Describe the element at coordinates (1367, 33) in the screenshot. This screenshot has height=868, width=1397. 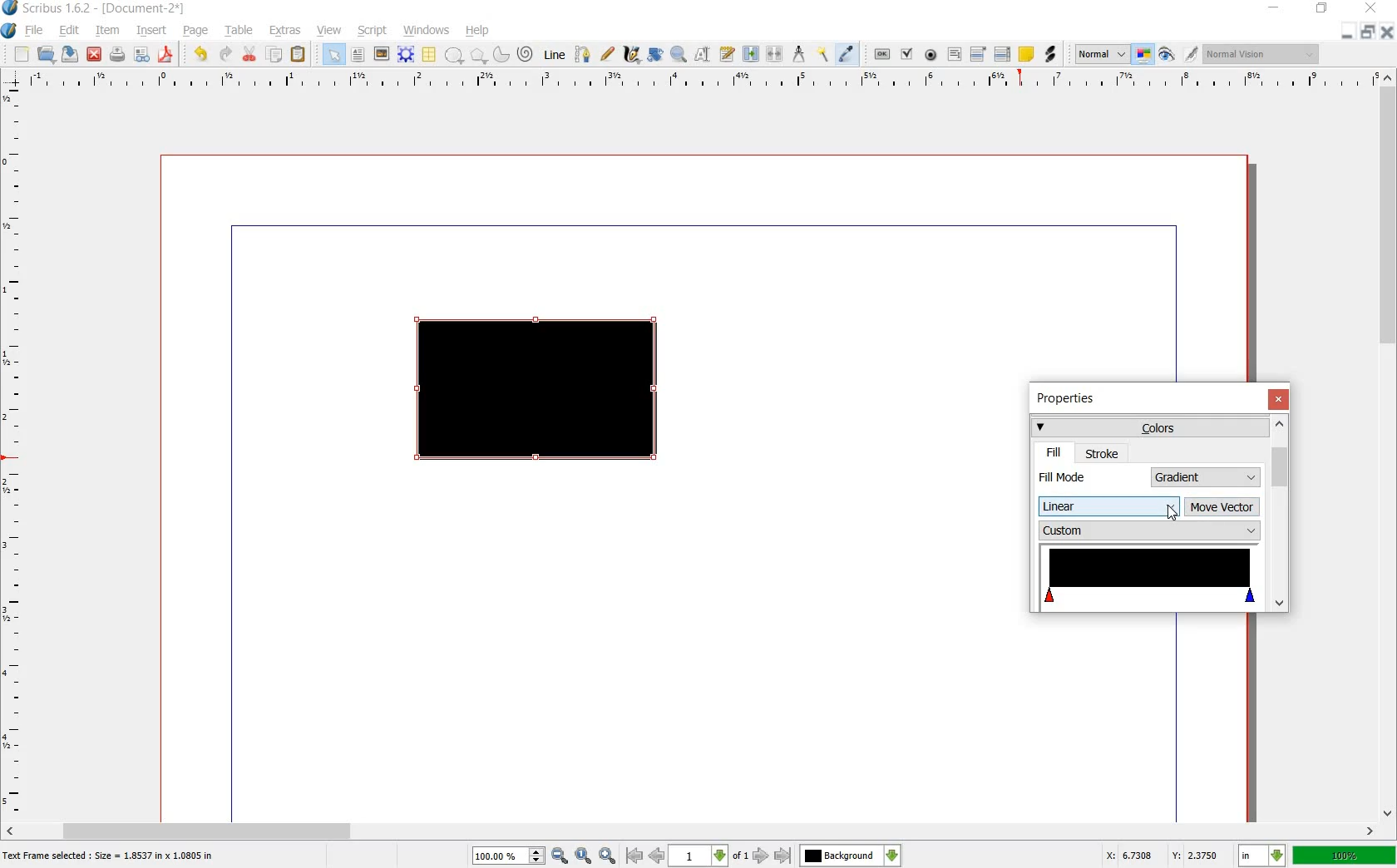
I see `restore` at that location.